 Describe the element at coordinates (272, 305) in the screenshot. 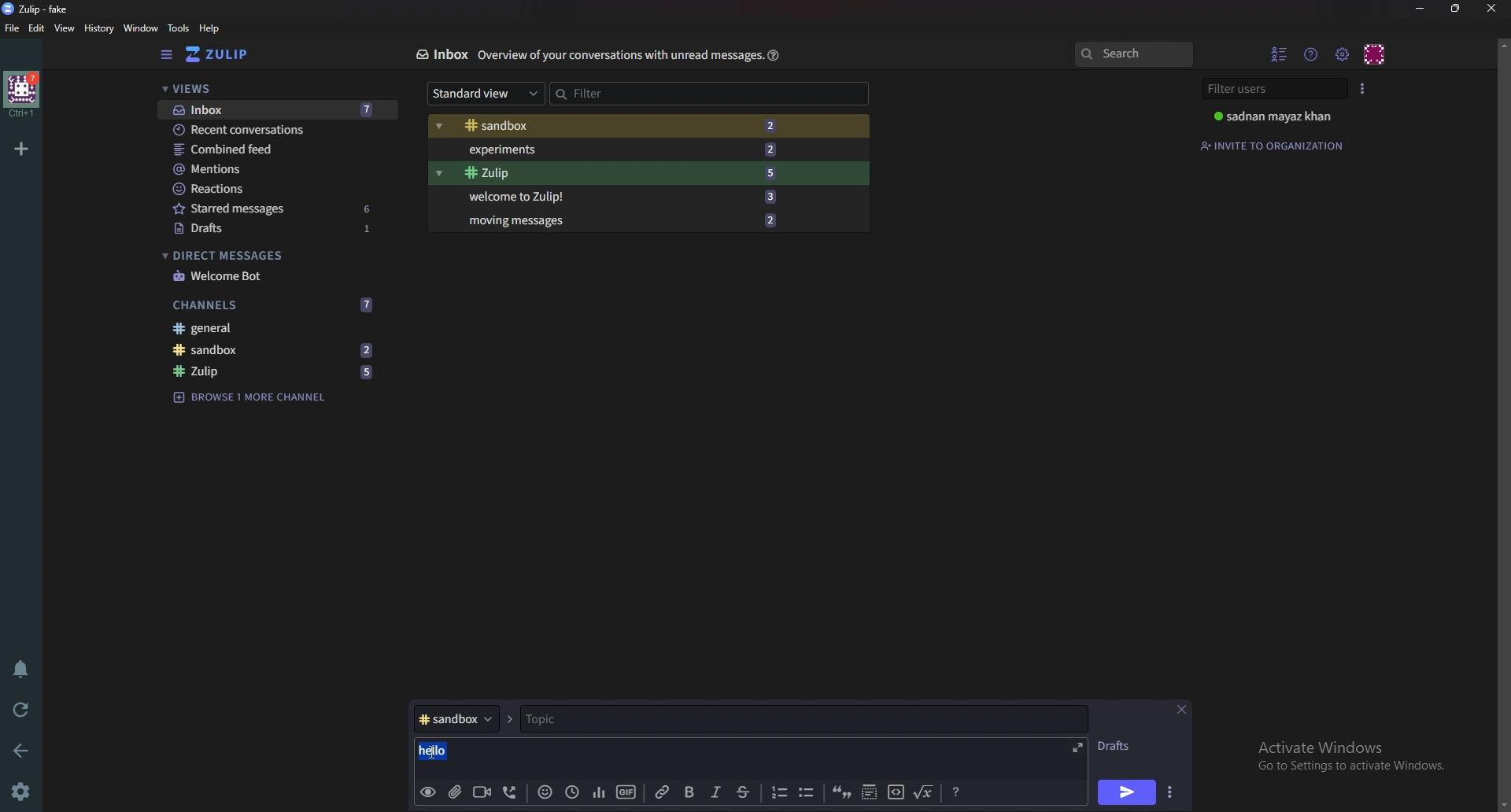

I see `Channels 7` at that location.